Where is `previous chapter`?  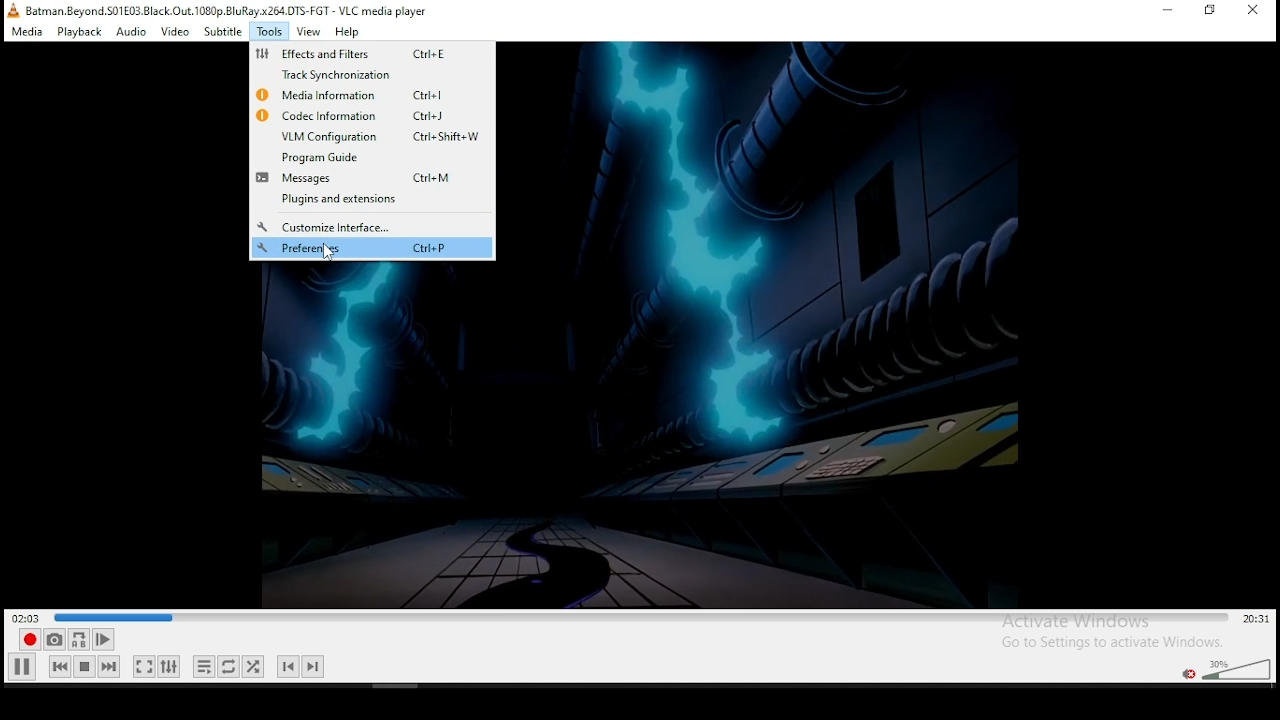
previous chapter is located at coordinates (288, 666).